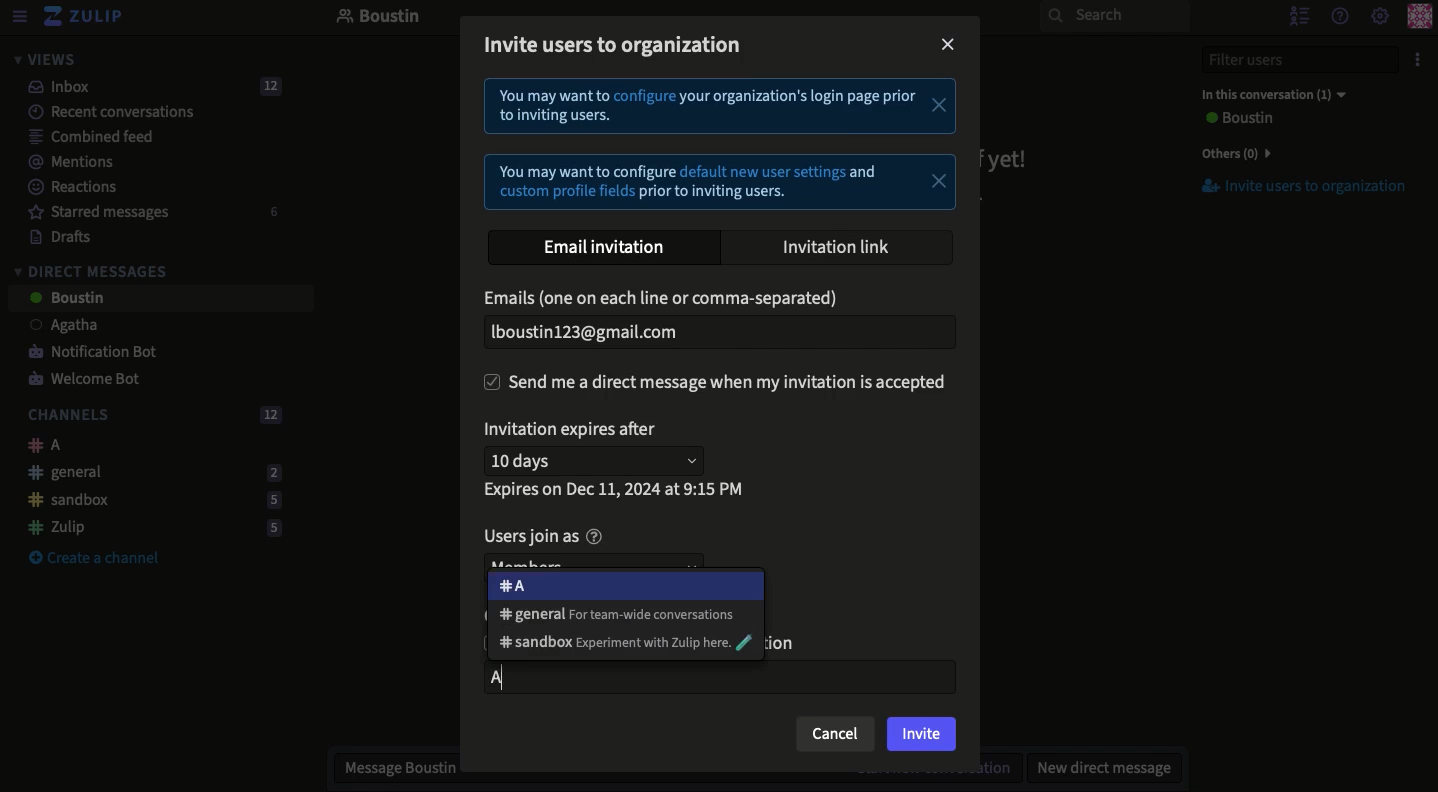 This screenshot has height=792, width=1438. I want to click on General , so click(149, 471).